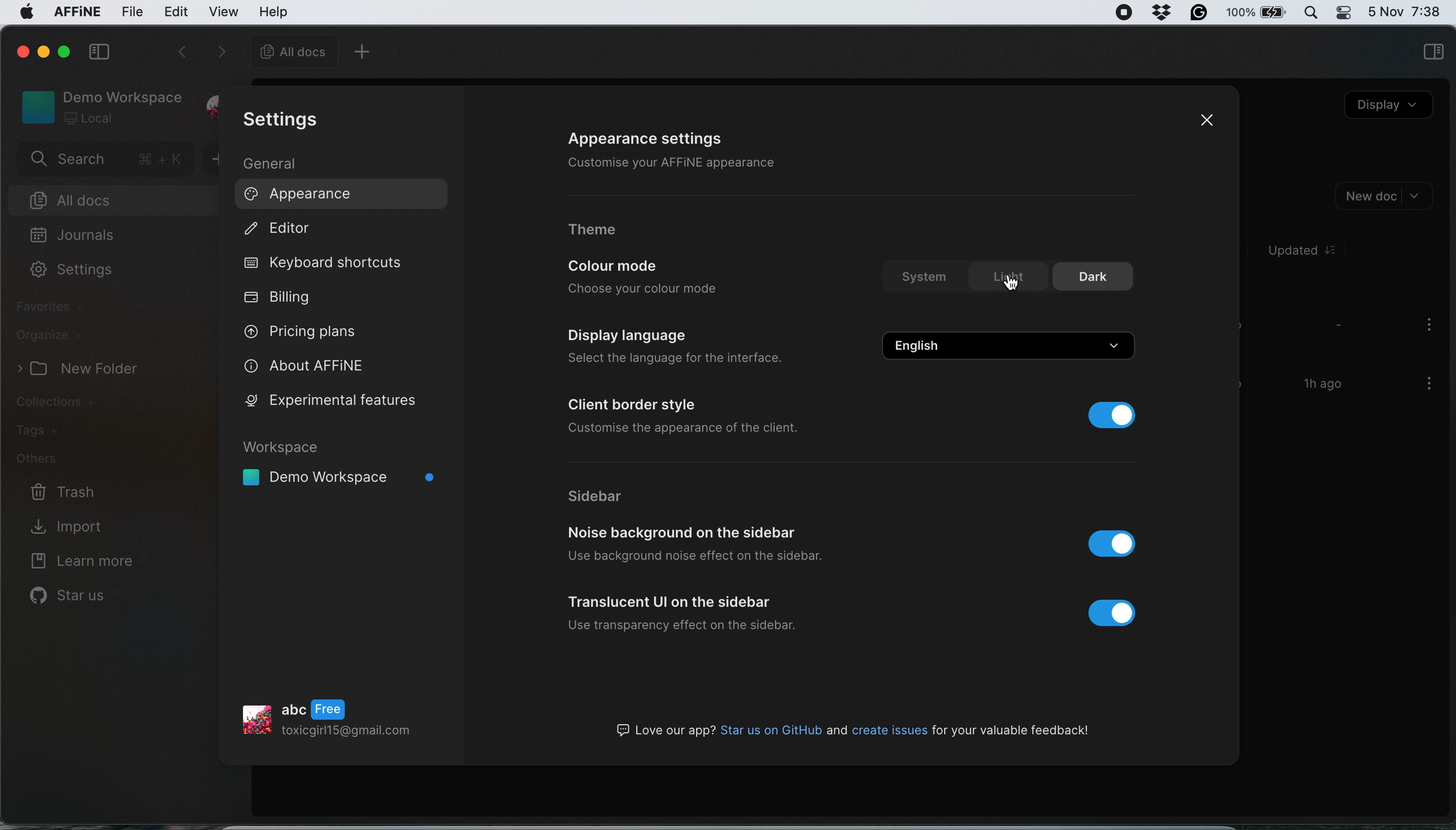 The width and height of the screenshot is (1456, 830). Describe the element at coordinates (1425, 385) in the screenshot. I see `more options` at that location.